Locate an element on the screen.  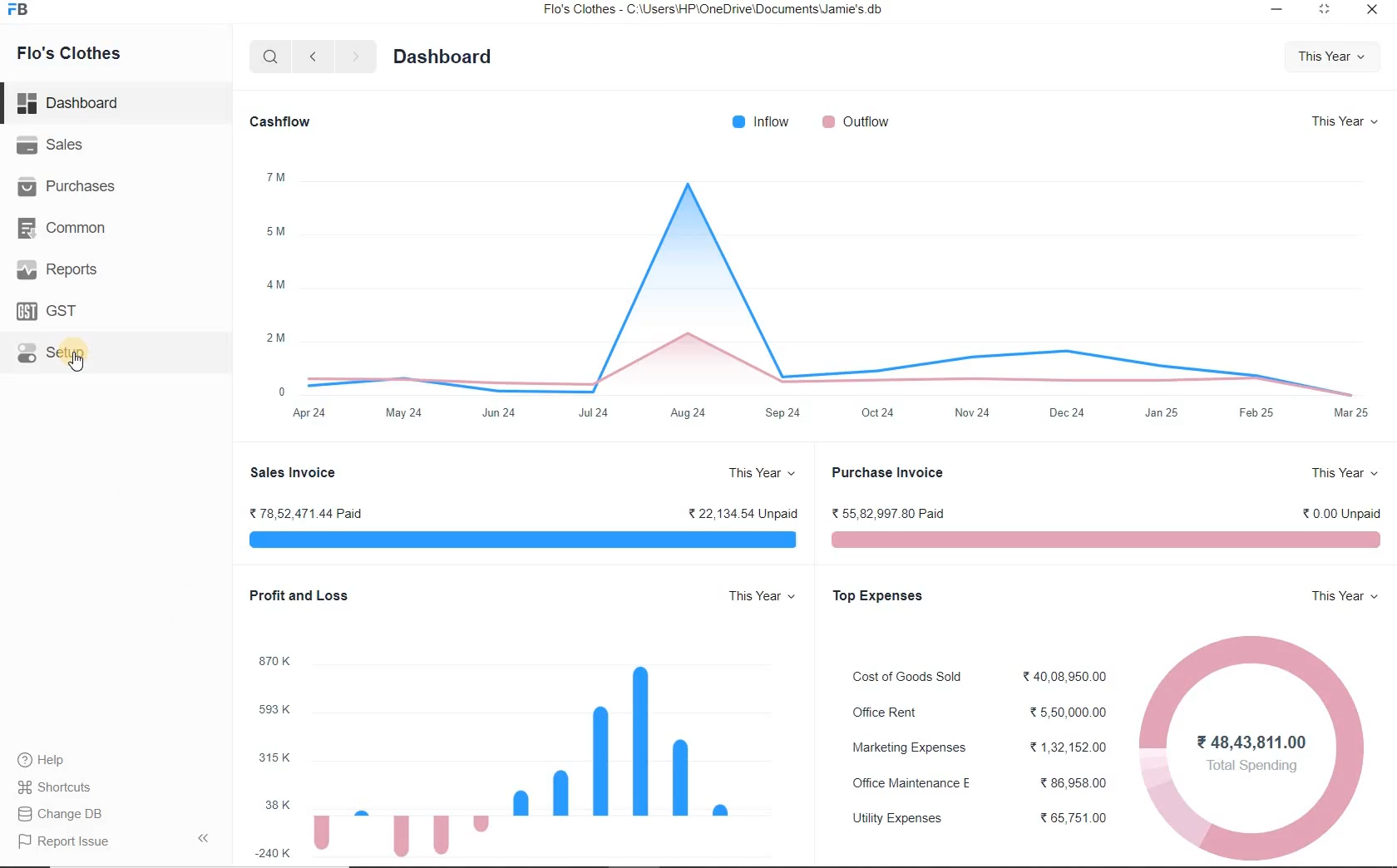
Utility Expenses 65,751.00 is located at coordinates (980, 819).